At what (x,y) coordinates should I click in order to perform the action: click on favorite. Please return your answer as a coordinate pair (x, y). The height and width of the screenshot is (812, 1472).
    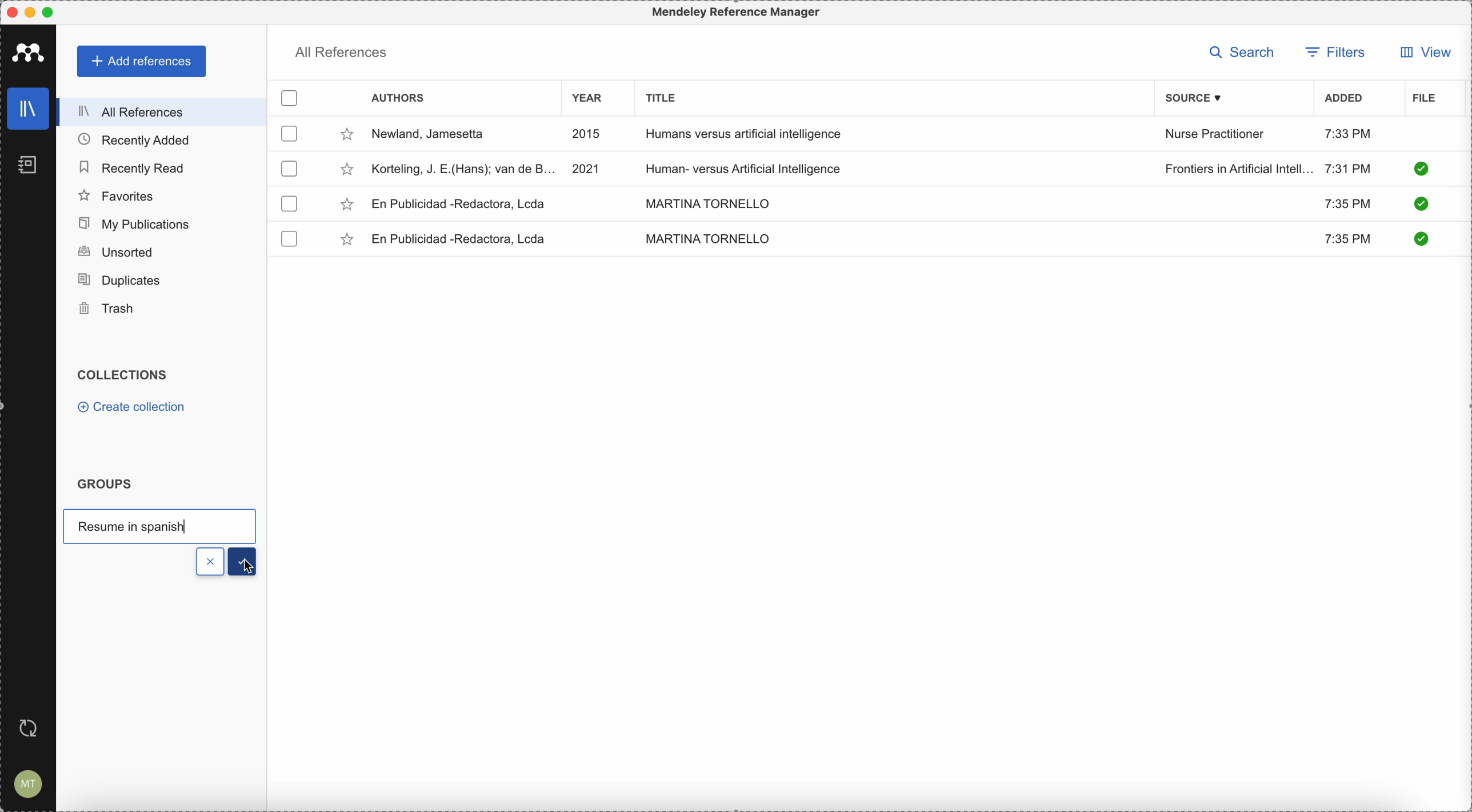
    Looking at the image, I should click on (347, 171).